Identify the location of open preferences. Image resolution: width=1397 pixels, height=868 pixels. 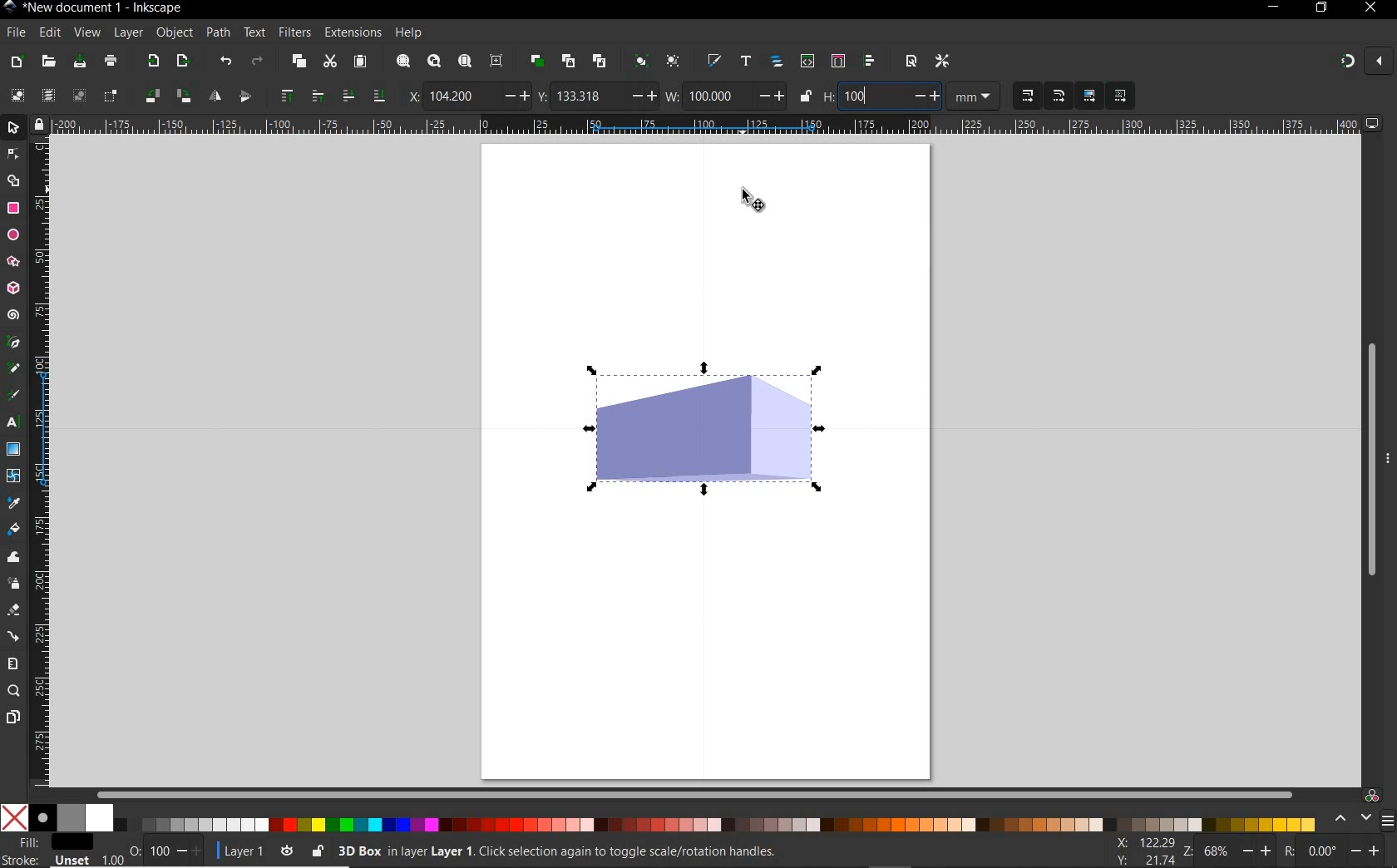
(946, 62).